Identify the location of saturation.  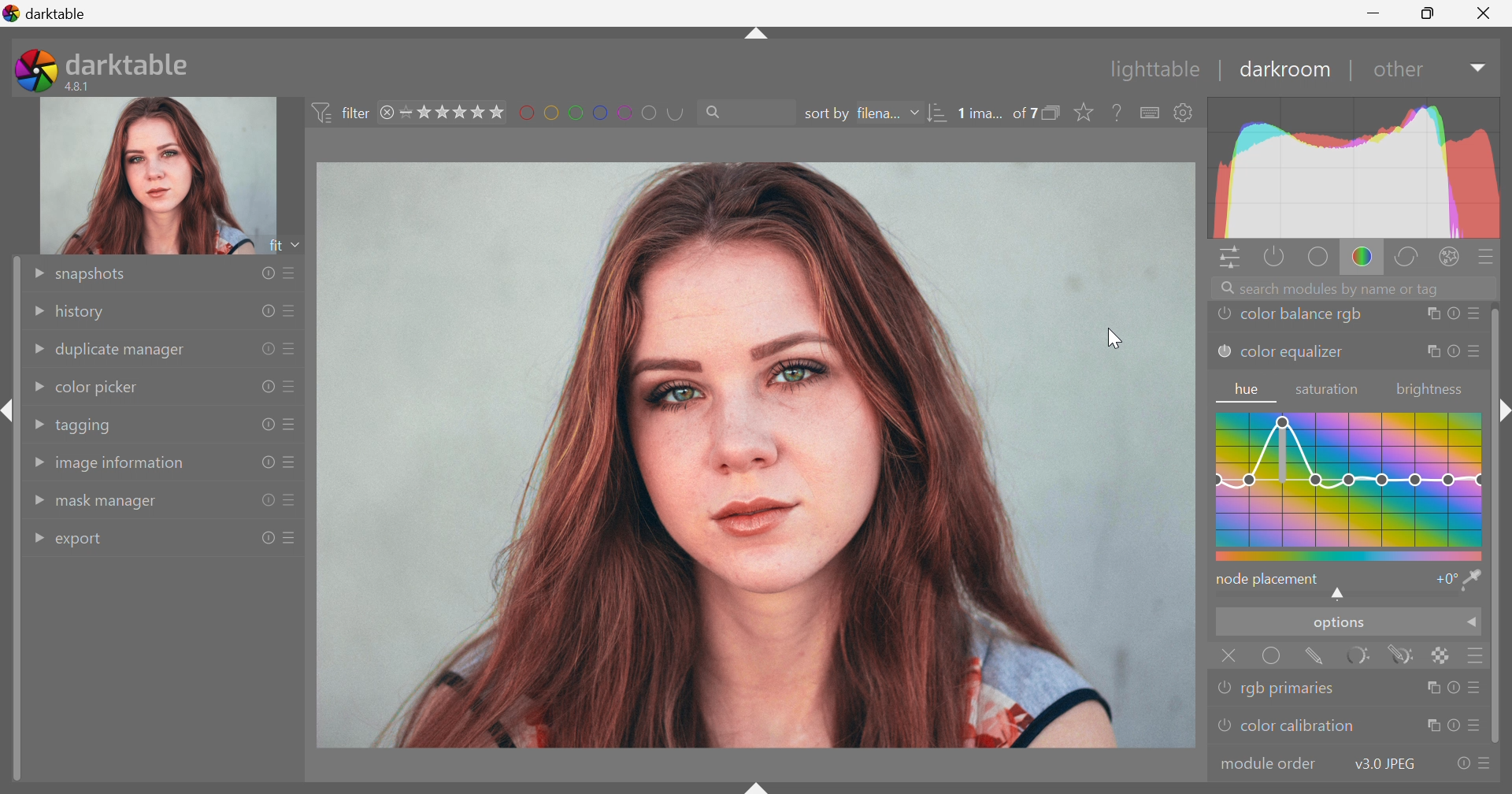
(1330, 390).